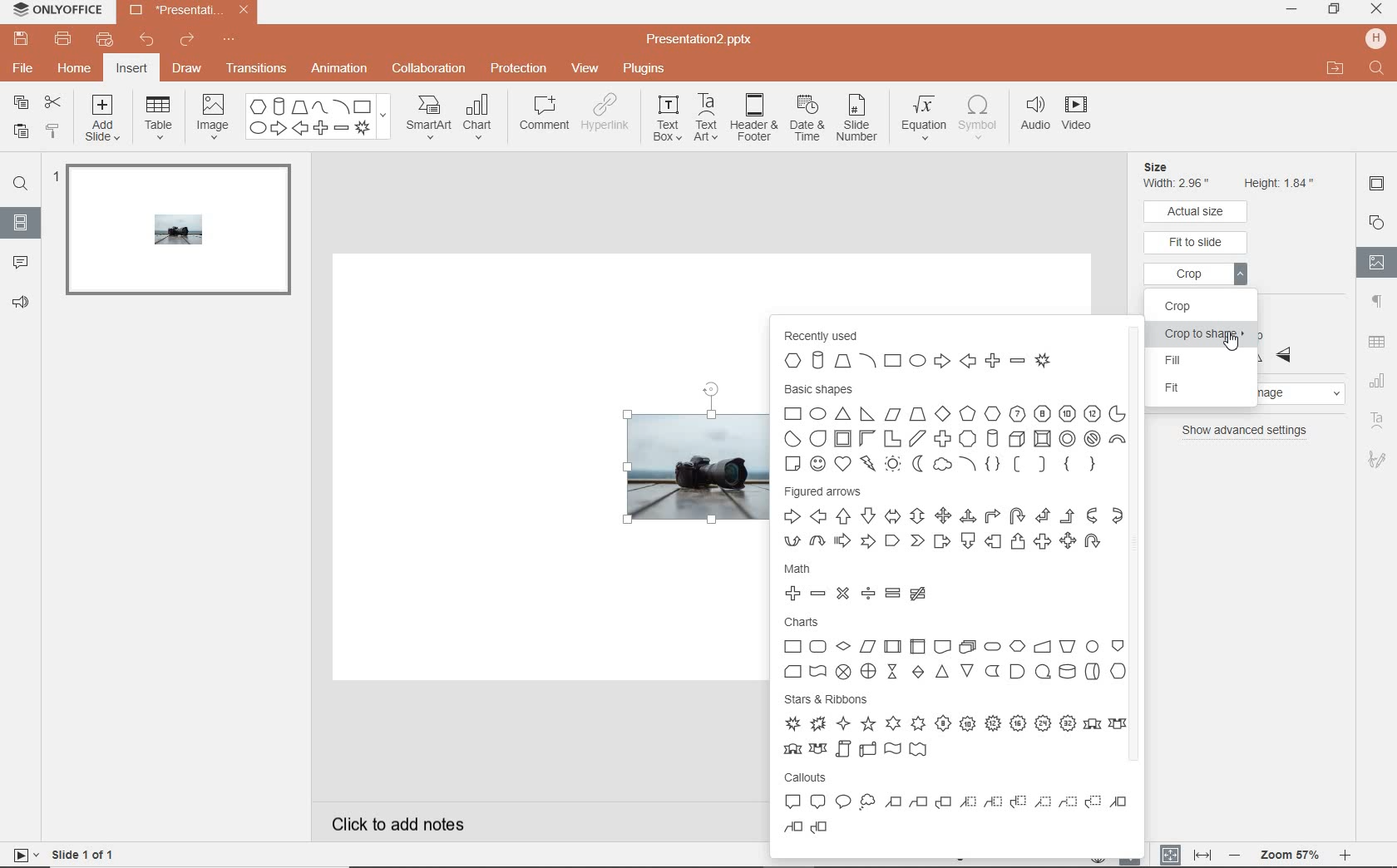 The width and height of the screenshot is (1397, 868). Describe the element at coordinates (925, 114) in the screenshot. I see `equation` at that location.